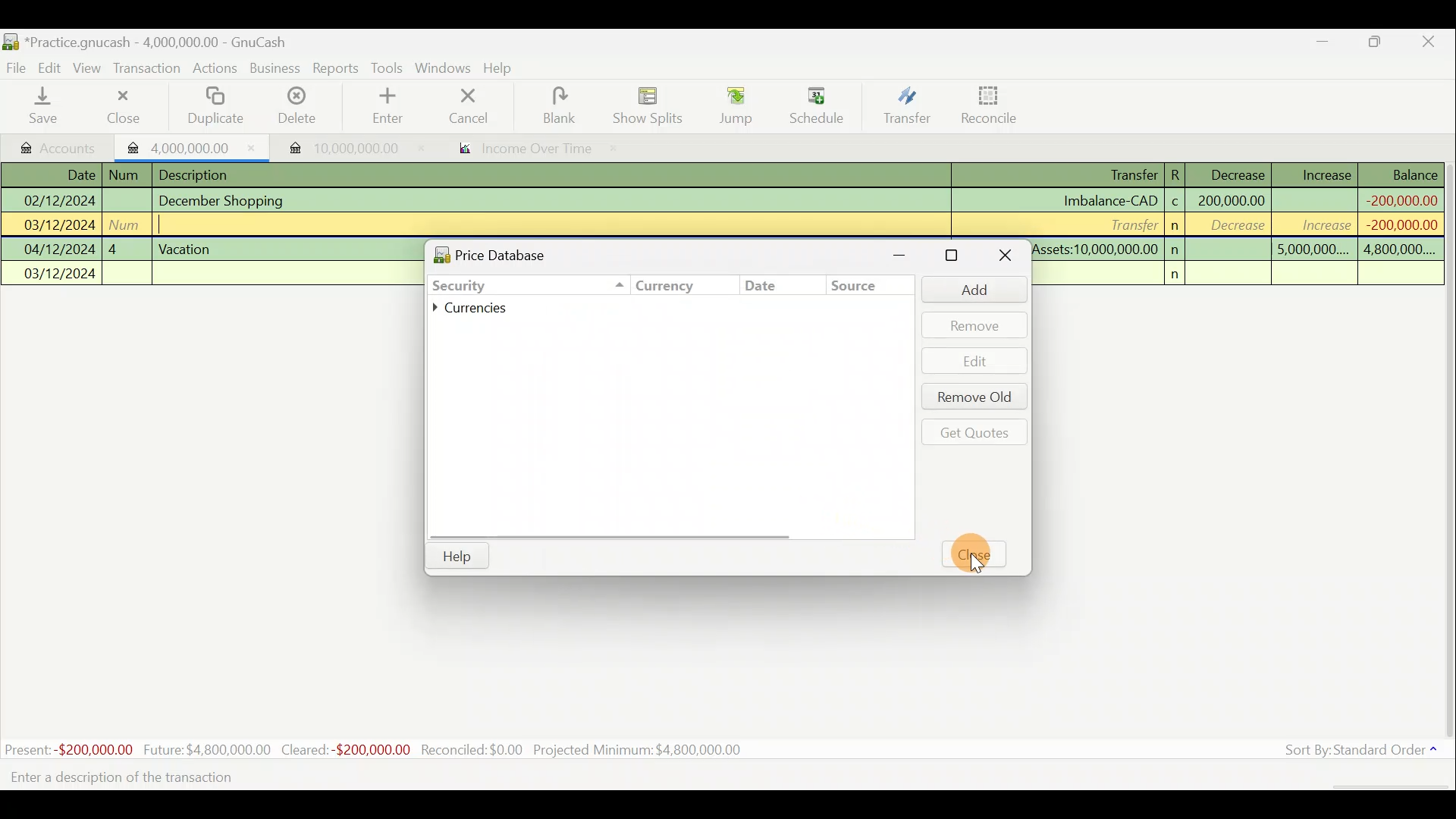  I want to click on Remove old, so click(971, 398).